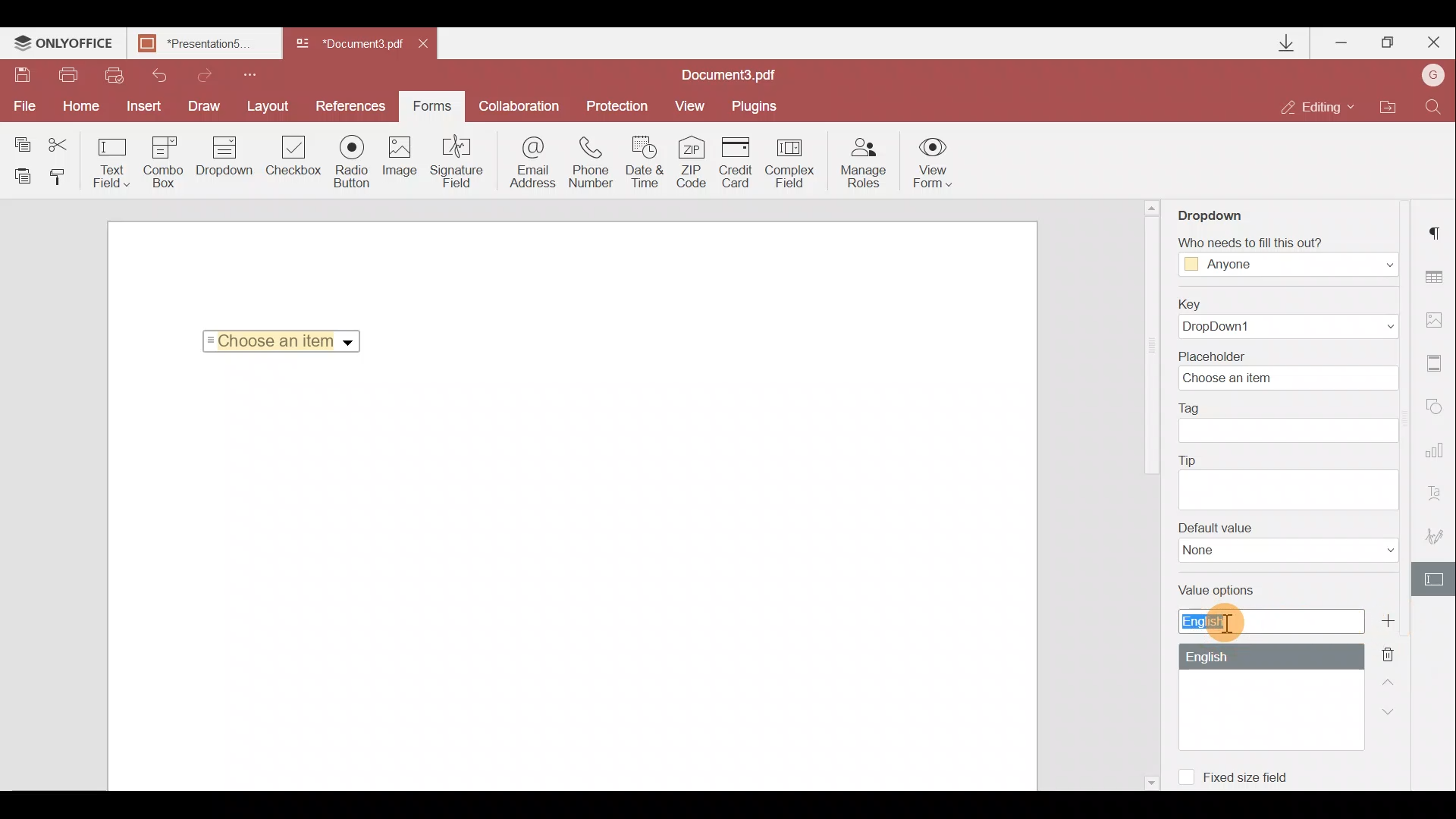  I want to click on File, so click(23, 106).